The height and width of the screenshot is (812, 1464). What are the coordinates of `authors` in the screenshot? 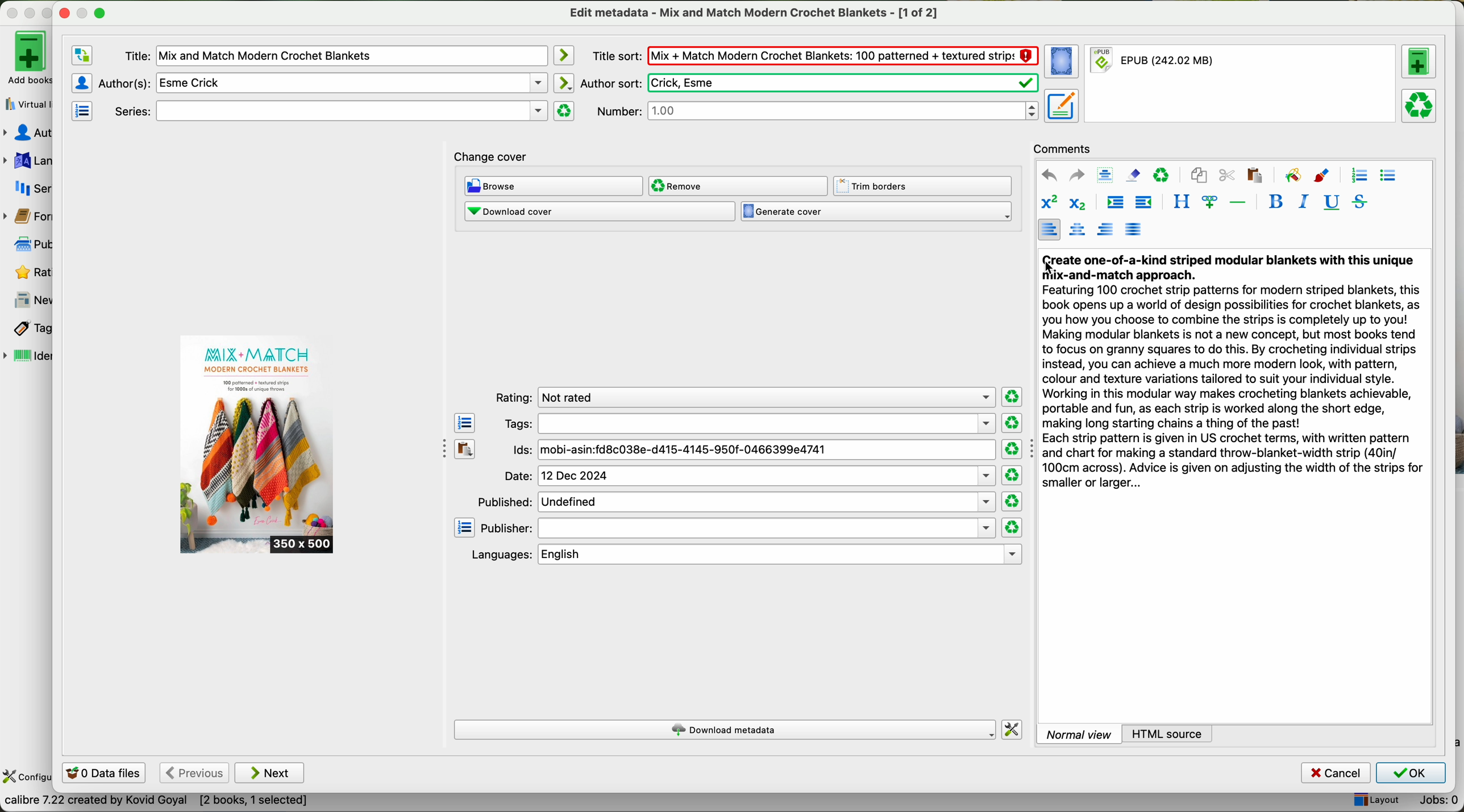 It's located at (27, 133).